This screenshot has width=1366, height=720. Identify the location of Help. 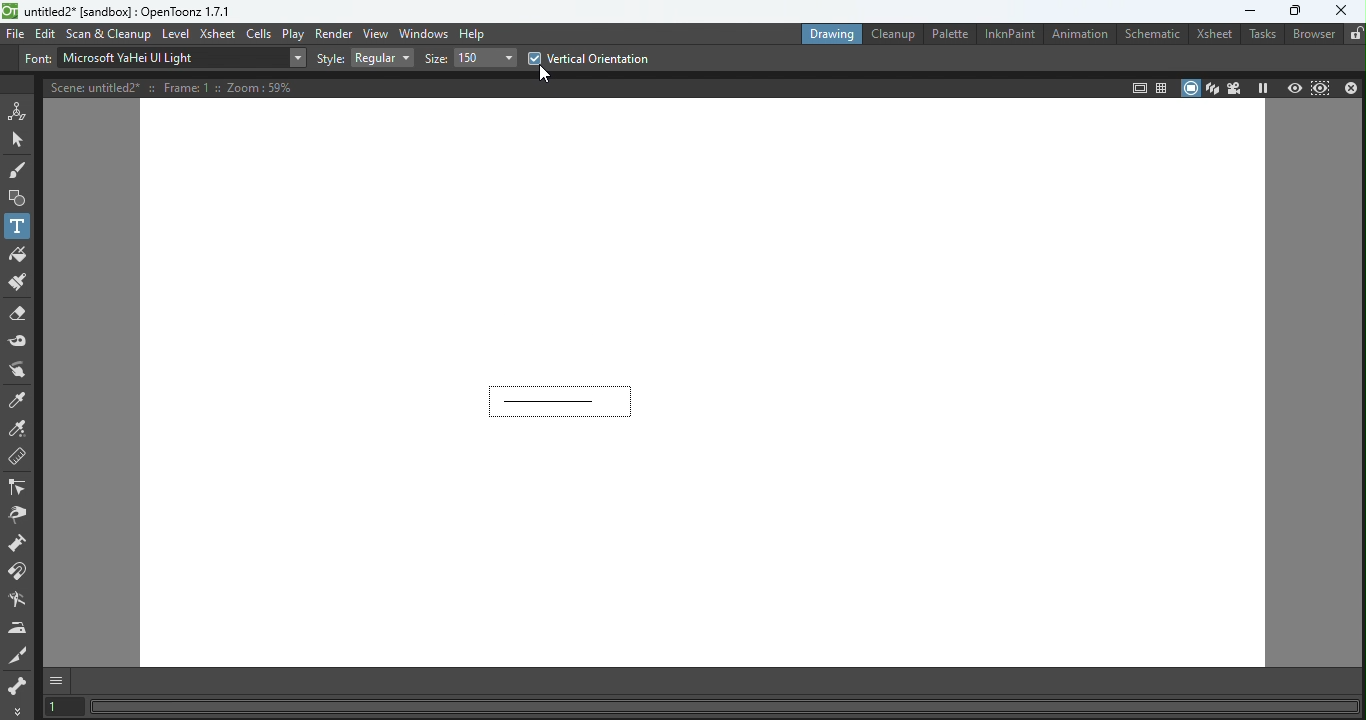
(476, 34).